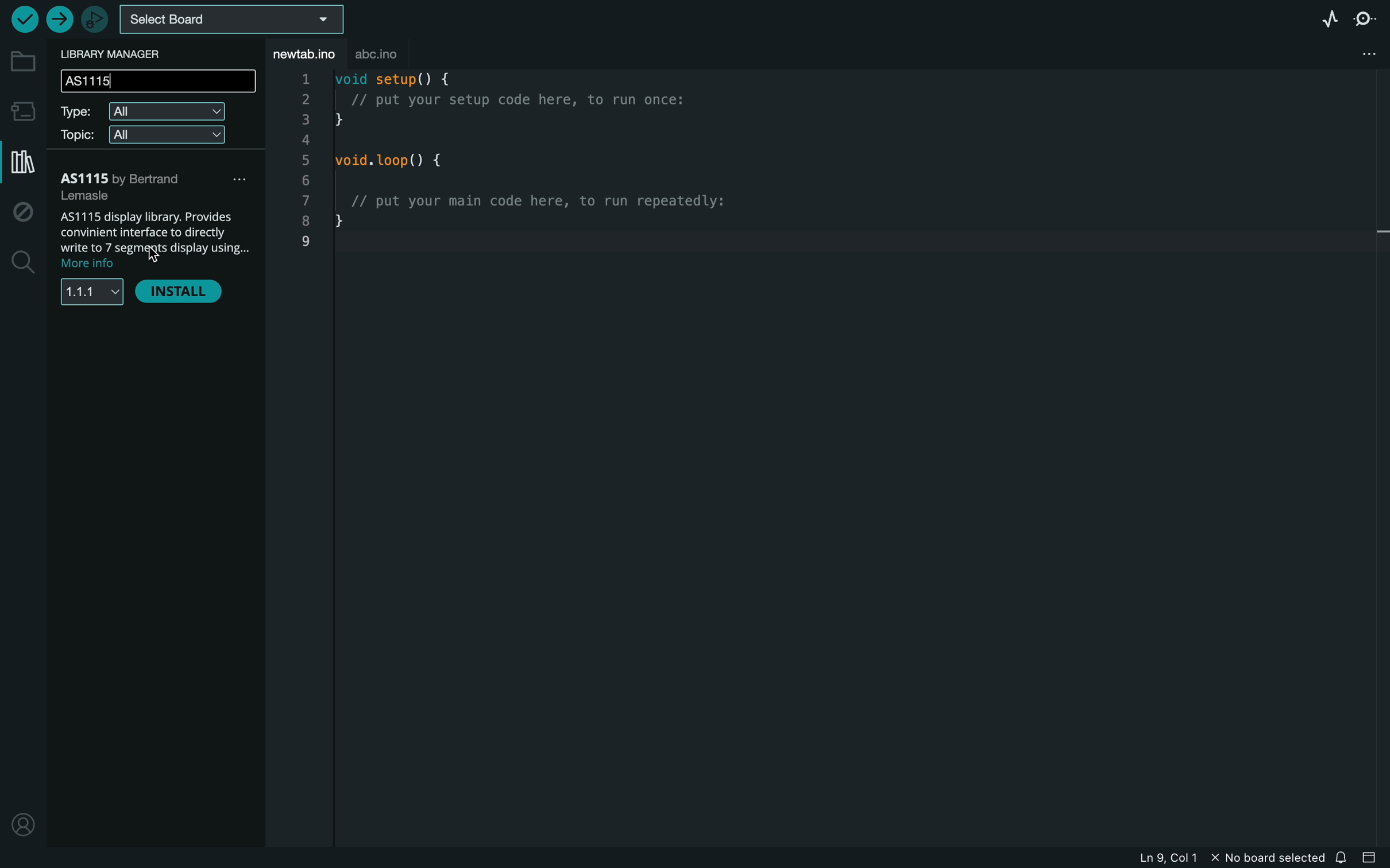 This screenshot has width=1390, height=868. Describe the element at coordinates (154, 250) in the screenshot. I see `cursor` at that location.